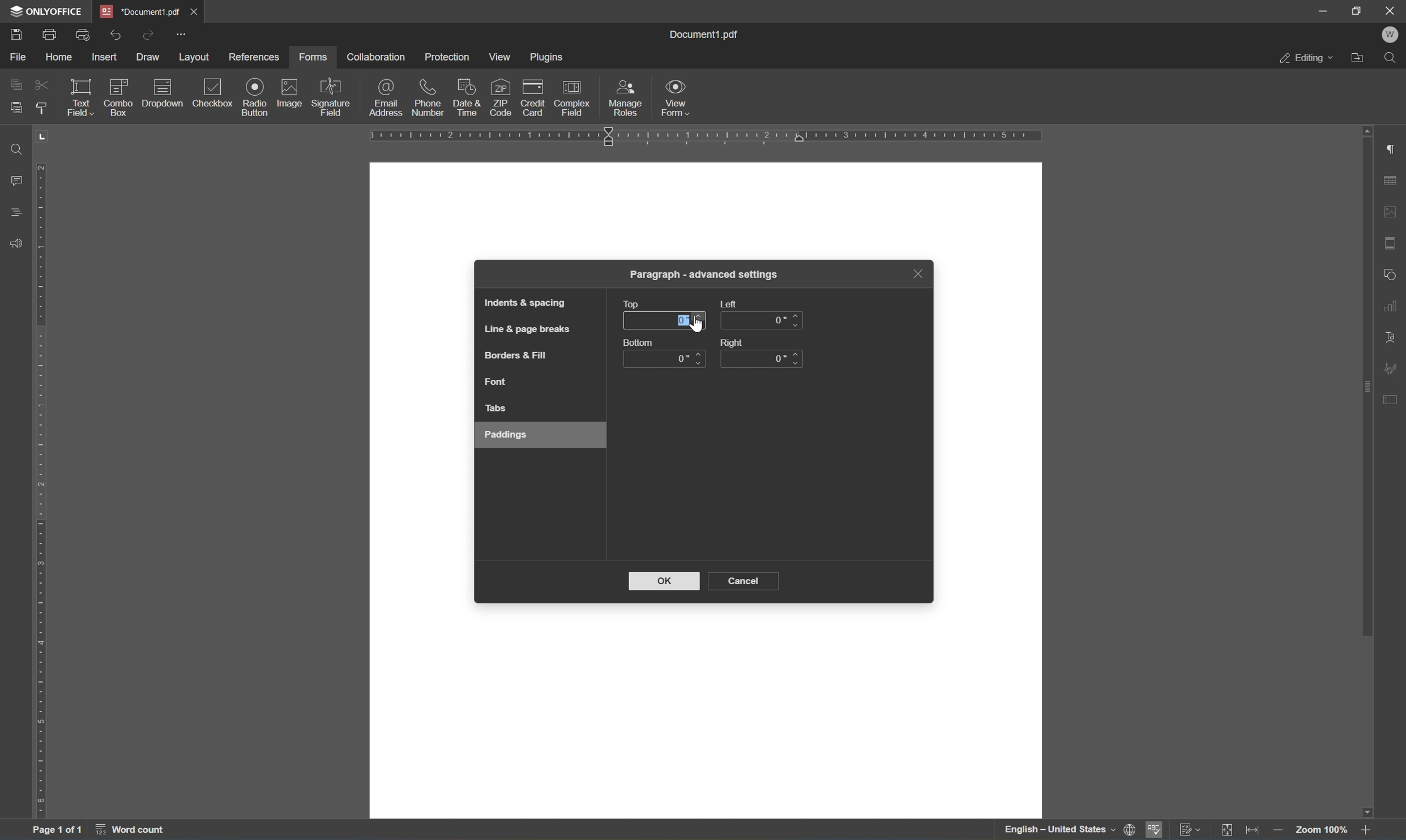 This screenshot has height=840, width=1406. What do you see at coordinates (1394, 150) in the screenshot?
I see `paragraph settings` at bounding box center [1394, 150].